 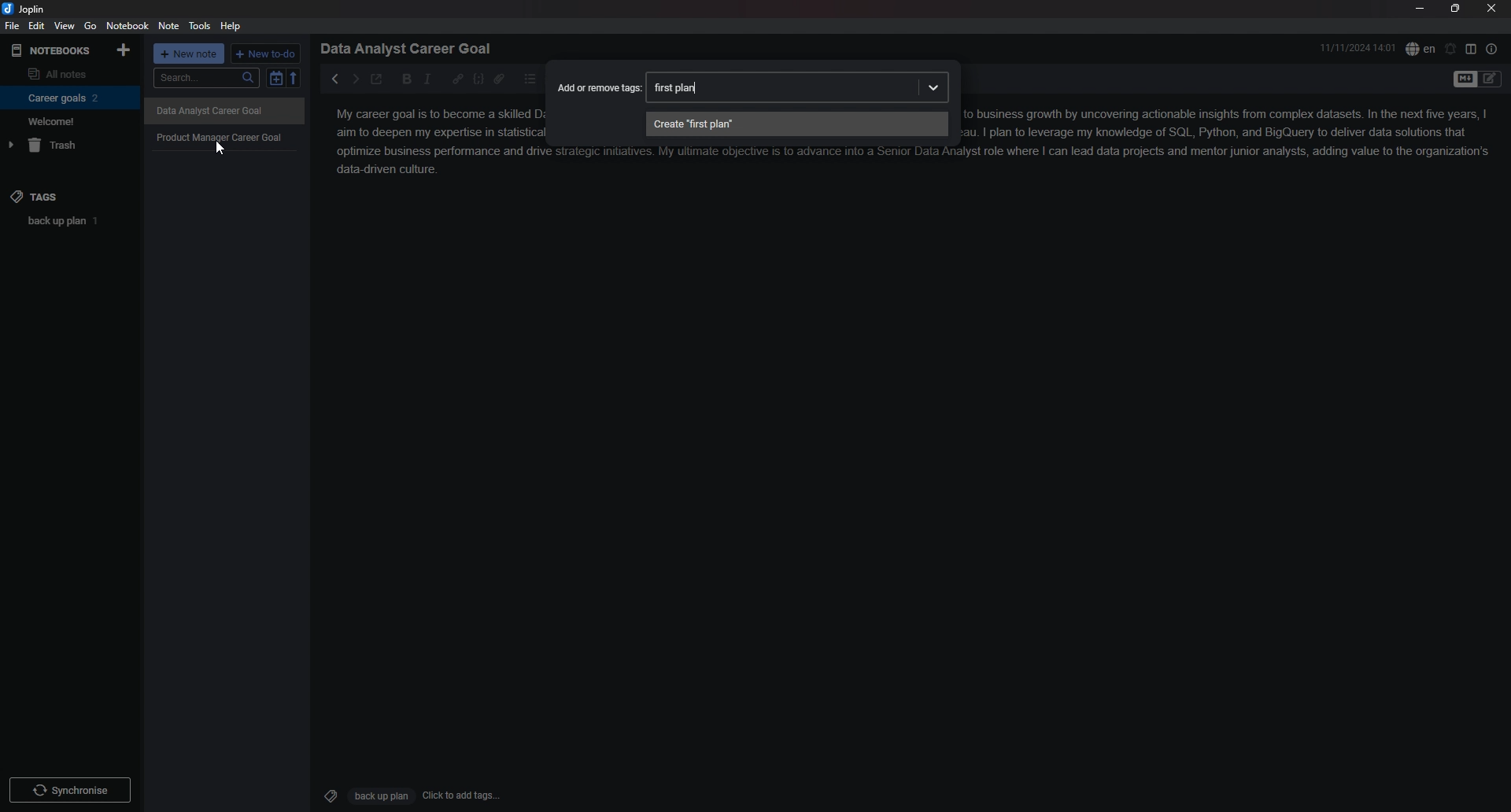 What do you see at coordinates (68, 145) in the screenshot?
I see `trash` at bounding box center [68, 145].